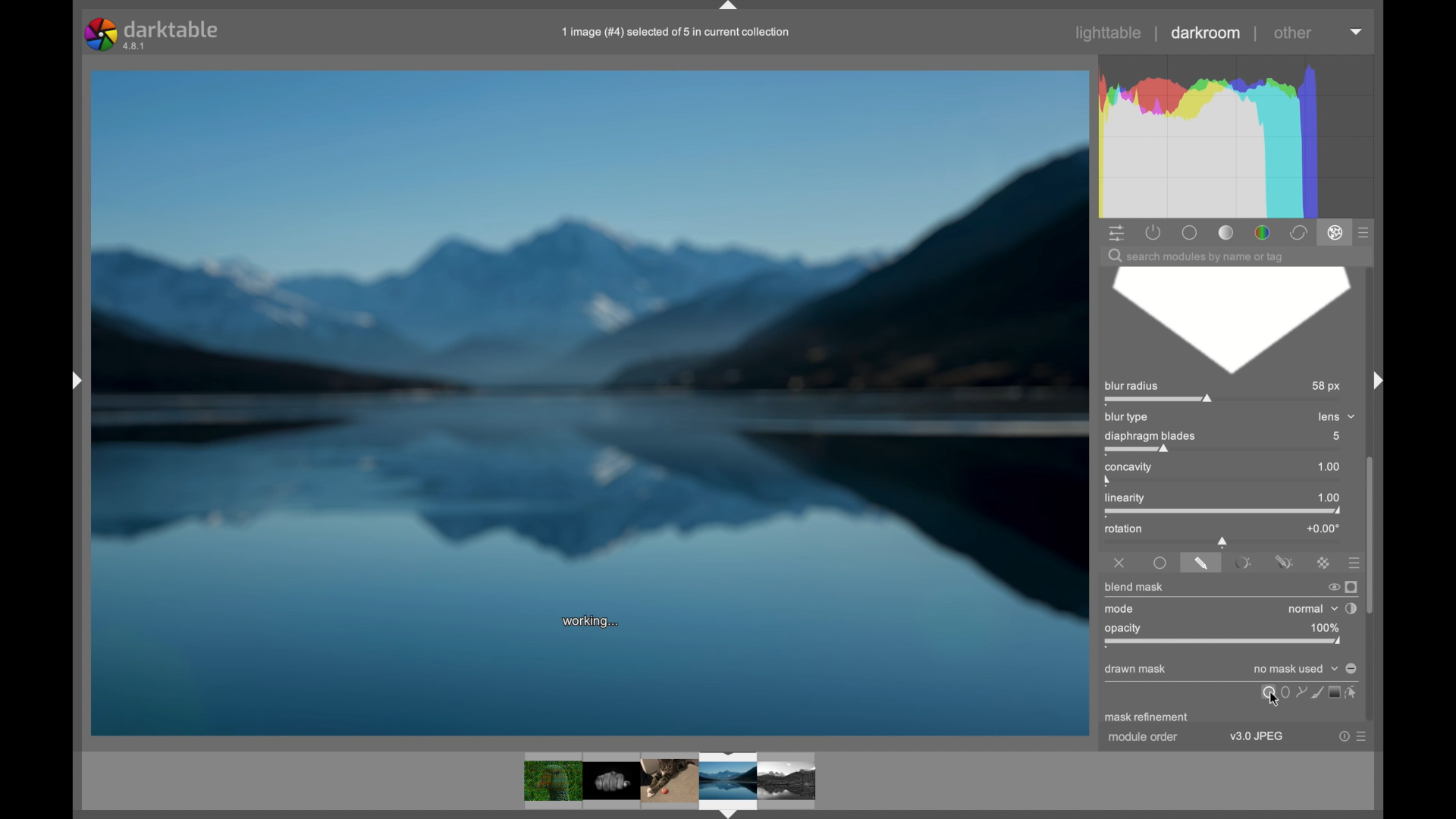 This screenshot has width=1456, height=819. What do you see at coordinates (1357, 33) in the screenshot?
I see `dropdown menu` at bounding box center [1357, 33].